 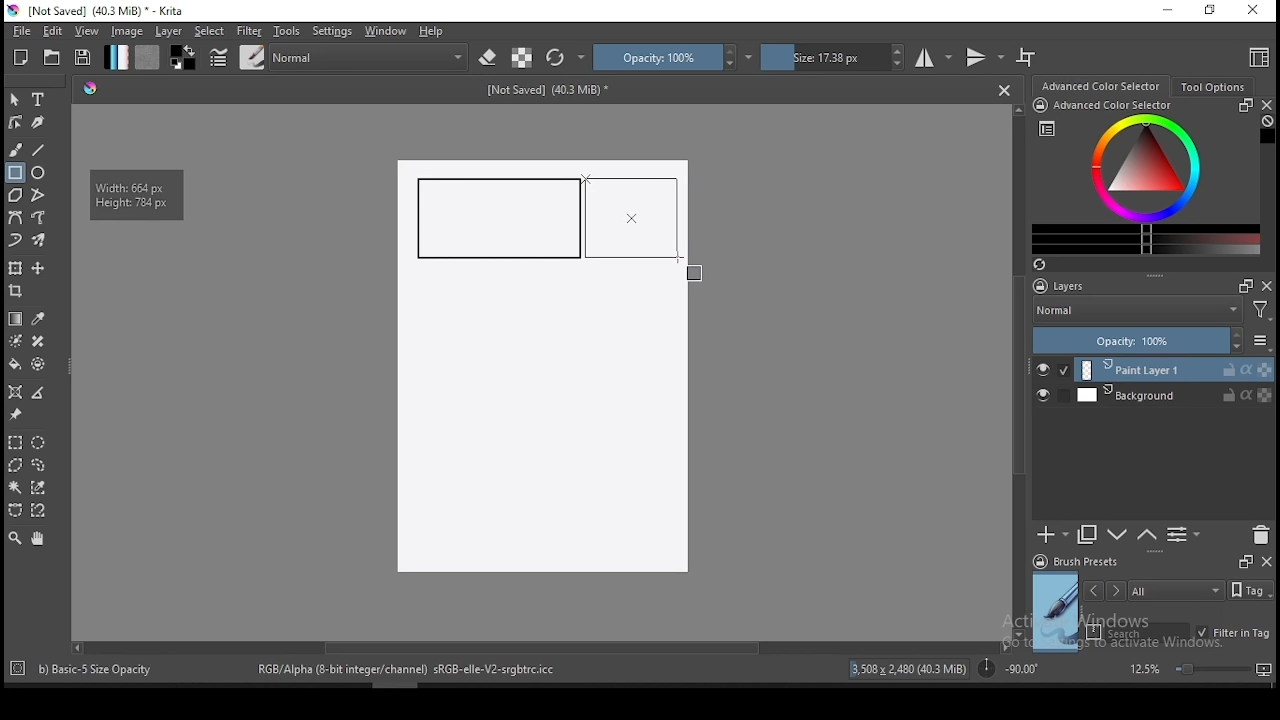 What do you see at coordinates (1176, 590) in the screenshot?
I see `tags` at bounding box center [1176, 590].